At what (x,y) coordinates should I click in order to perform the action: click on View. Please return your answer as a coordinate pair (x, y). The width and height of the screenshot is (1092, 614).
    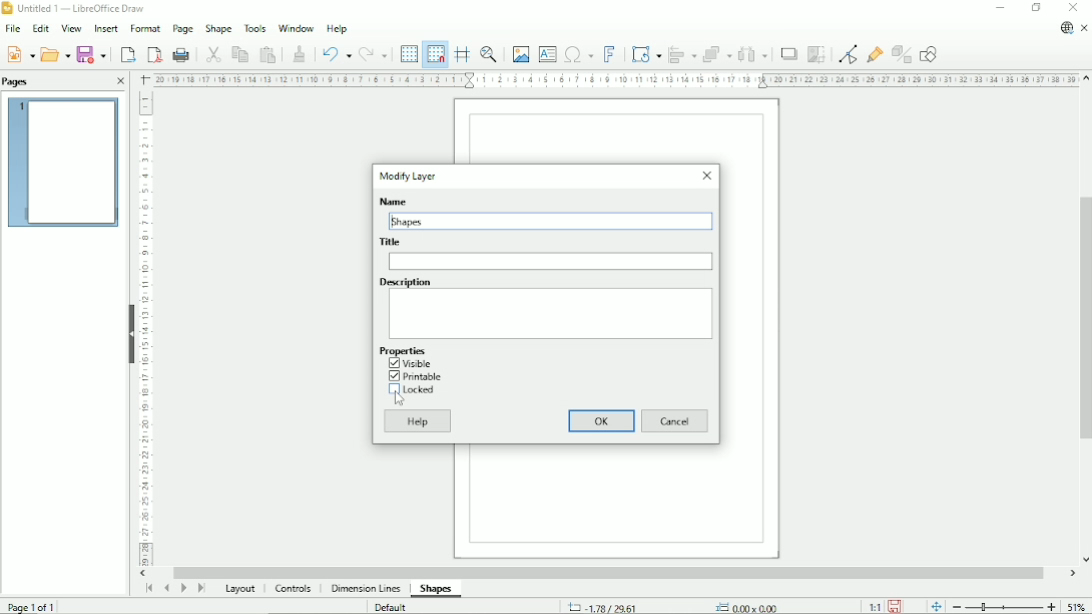
    Looking at the image, I should click on (71, 28).